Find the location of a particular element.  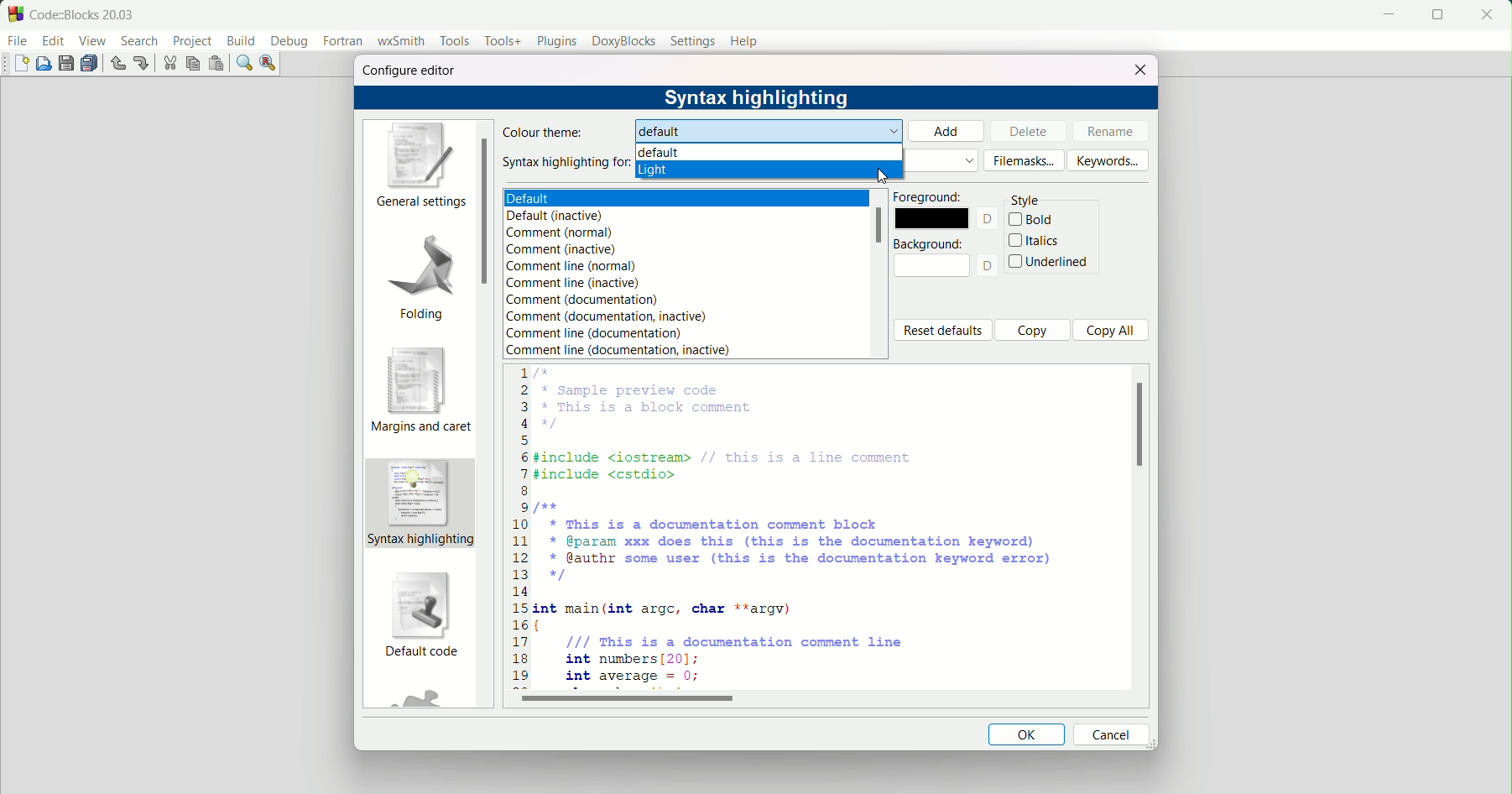

redo is located at coordinates (141, 62).